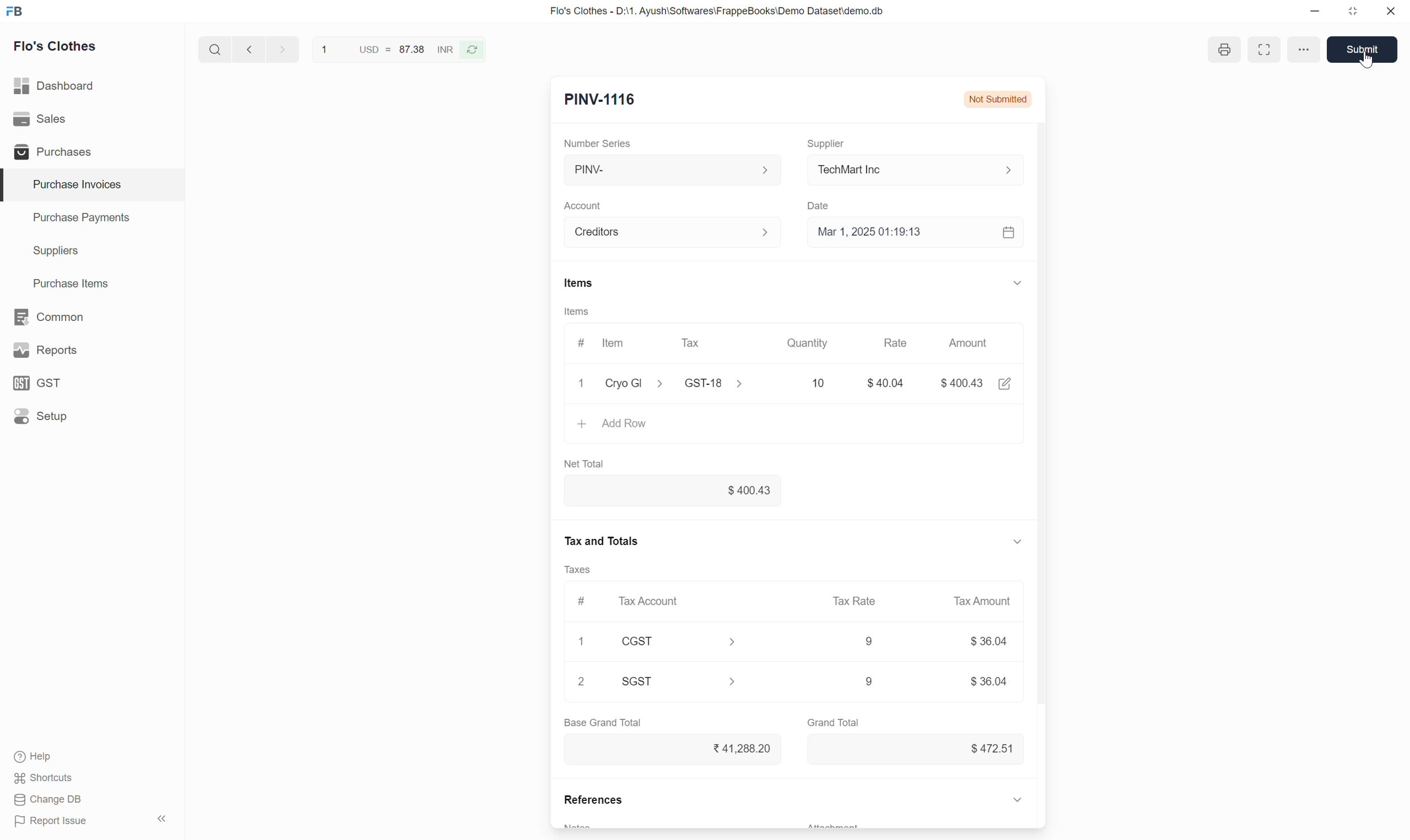 This screenshot has height=840, width=1410. I want to click on next, so click(247, 50).